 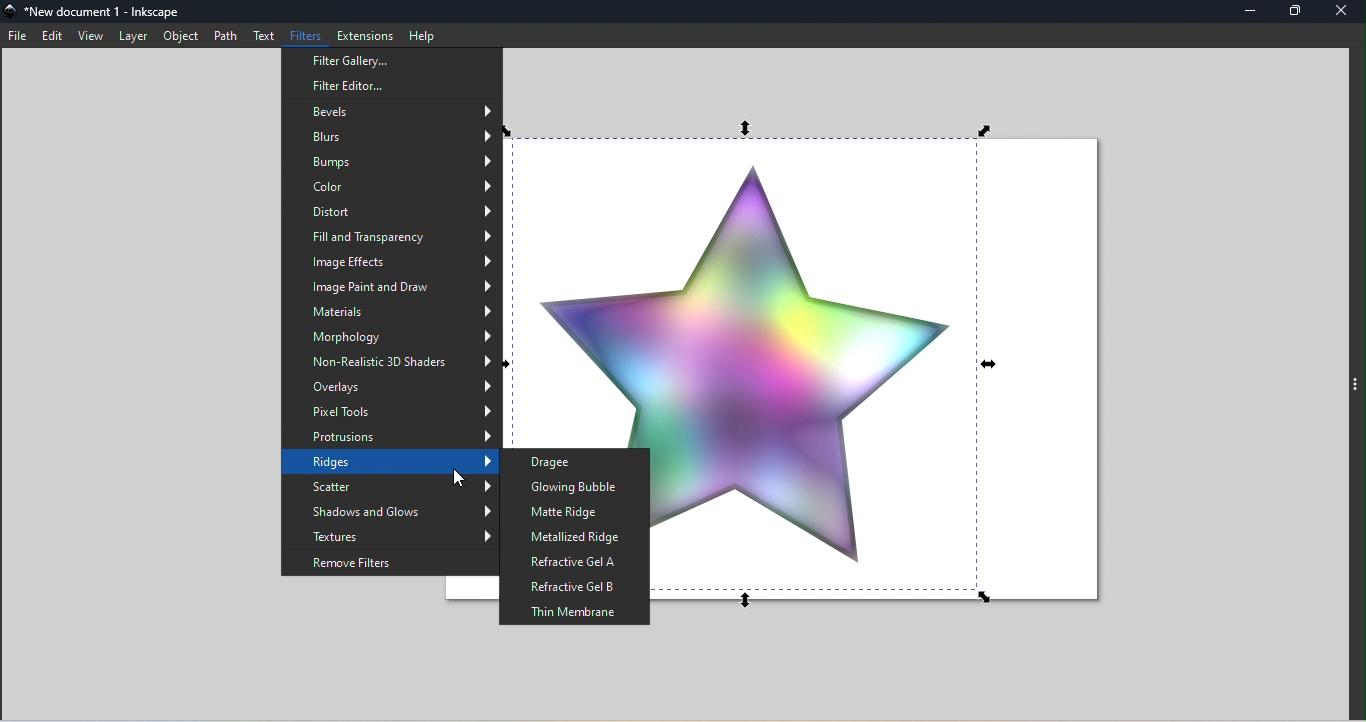 What do you see at coordinates (389, 311) in the screenshot?
I see `Materials` at bounding box center [389, 311].